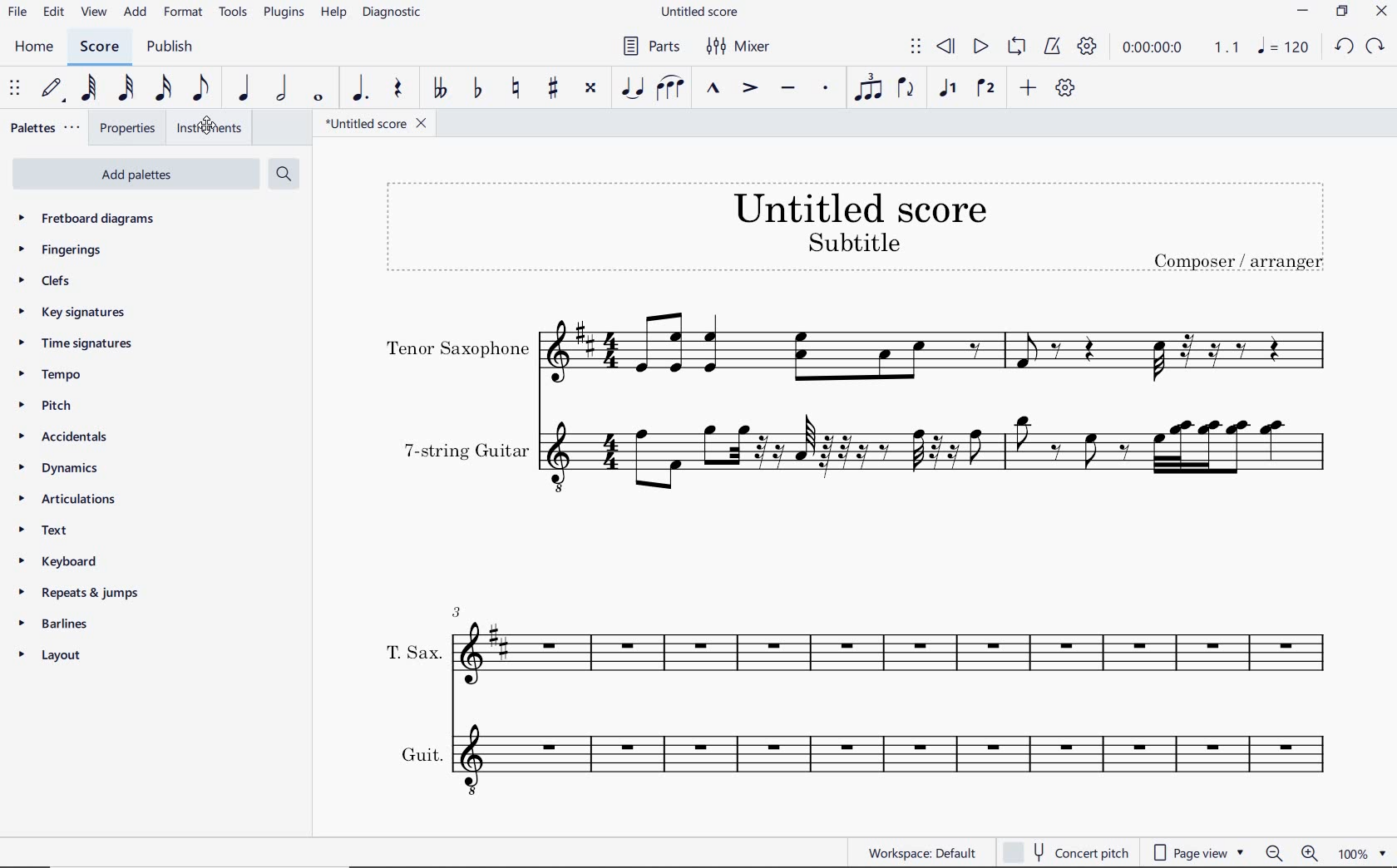 The width and height of the screenshot is (1397, 868). What do you see at coordinates (857, 225) in the screenshot?
I see `TITLE` at bounding box center [857, 225].